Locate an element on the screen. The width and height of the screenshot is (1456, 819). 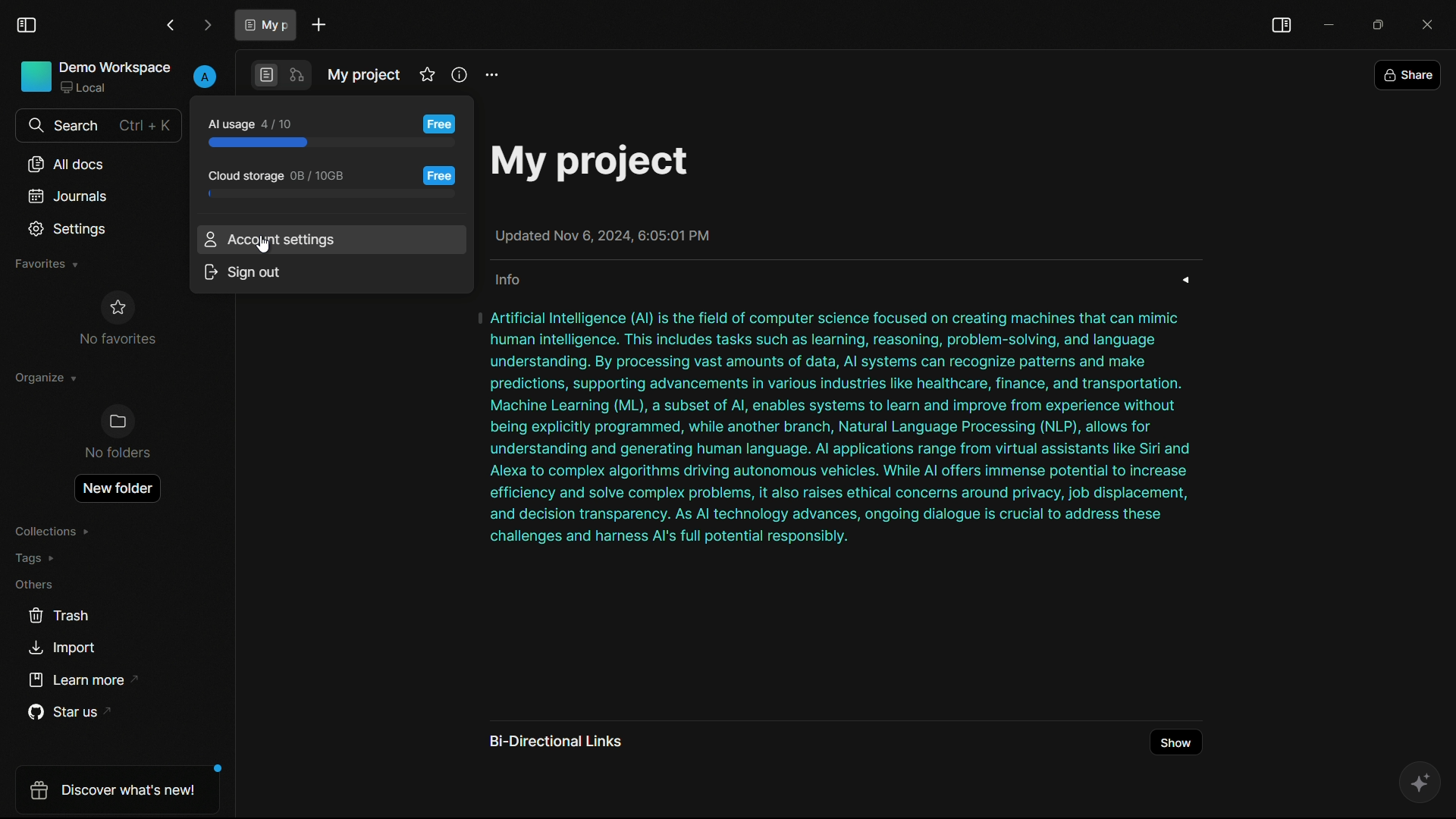
import is located at coordinates (61, 648).